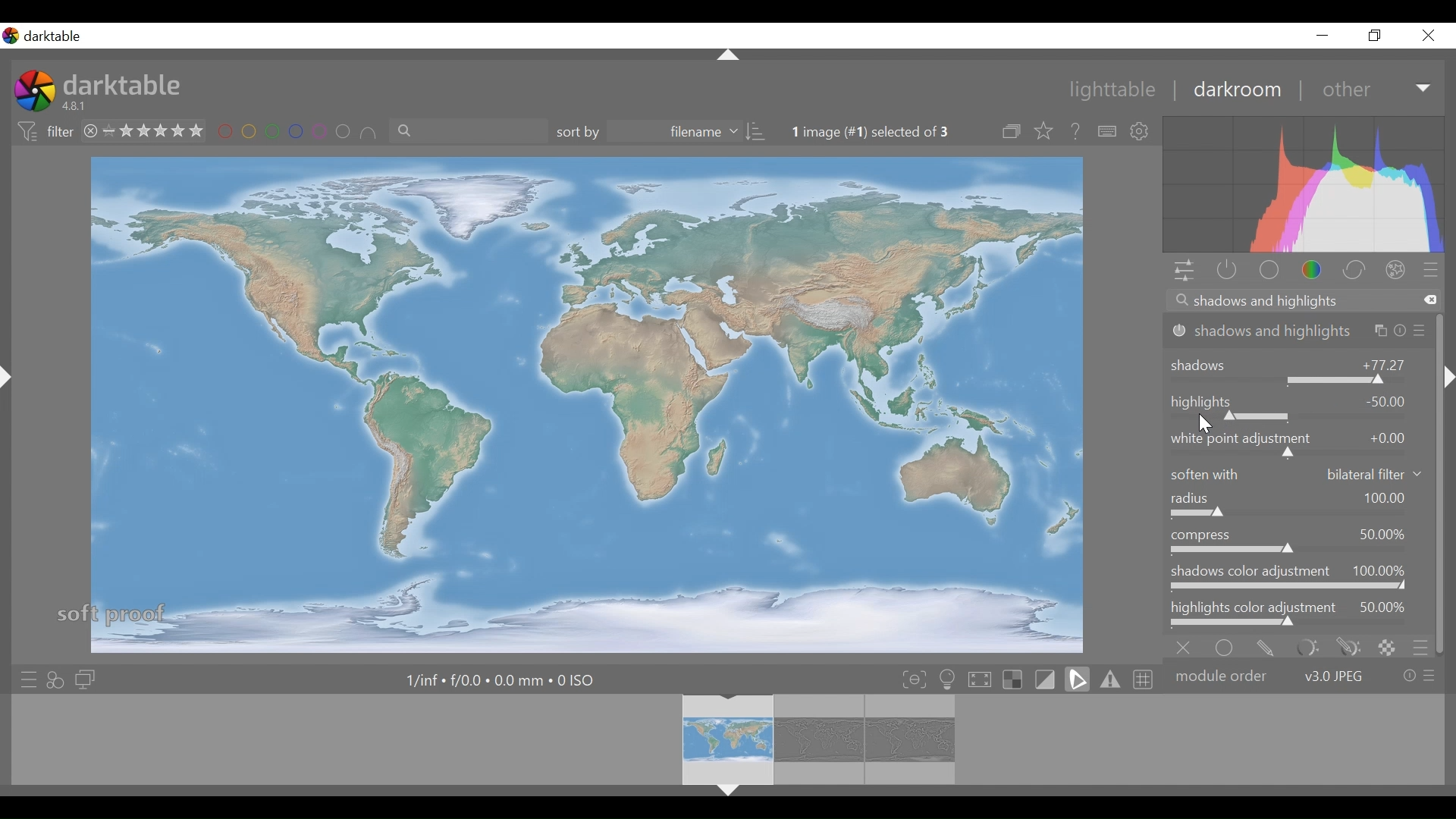  What do you see at coordinates (1106, 131) in the screenshot?
I see `define shortcut` at bounding box center [1106, 131].